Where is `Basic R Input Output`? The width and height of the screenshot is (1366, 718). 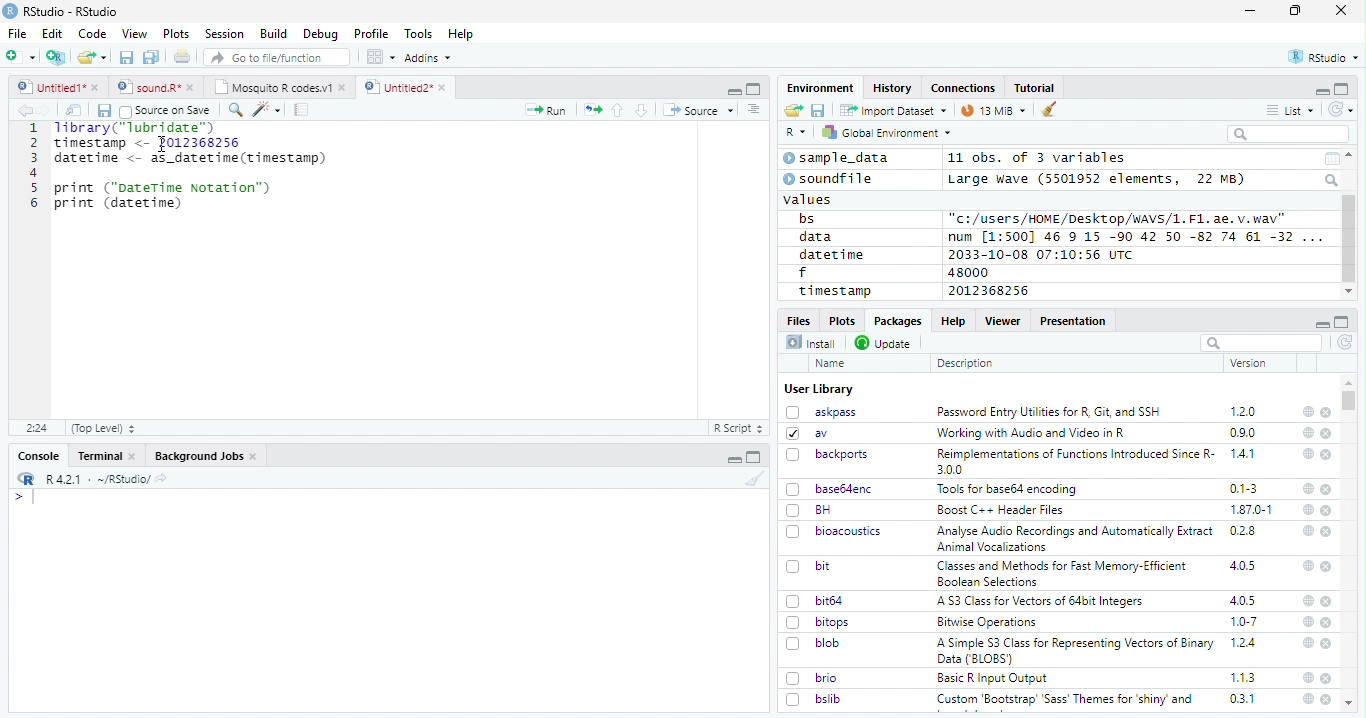 Basic R Input Output is located at coordinates (995, 678).